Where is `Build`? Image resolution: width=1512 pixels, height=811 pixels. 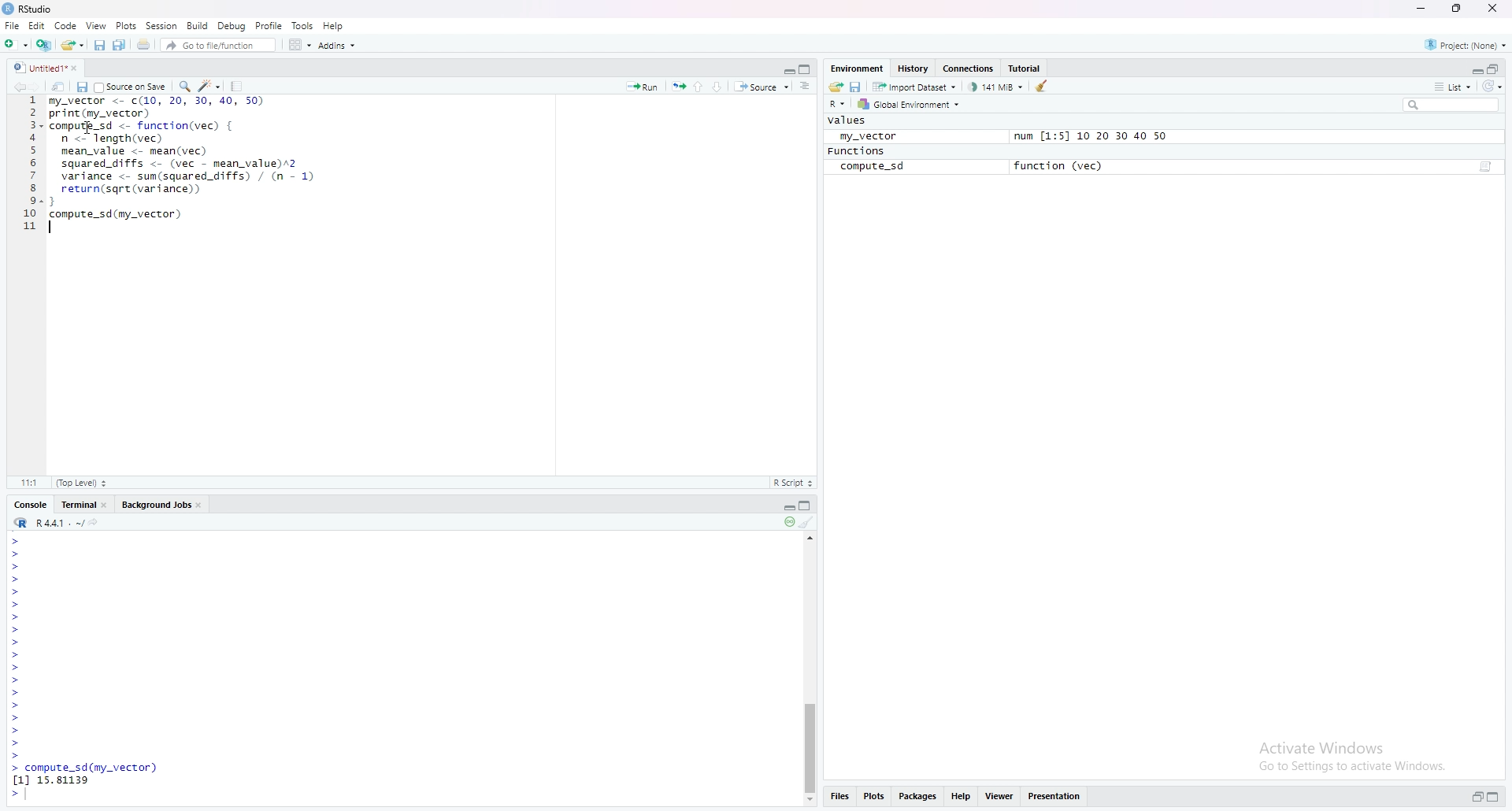
Build is located at coordinates (197, 24).